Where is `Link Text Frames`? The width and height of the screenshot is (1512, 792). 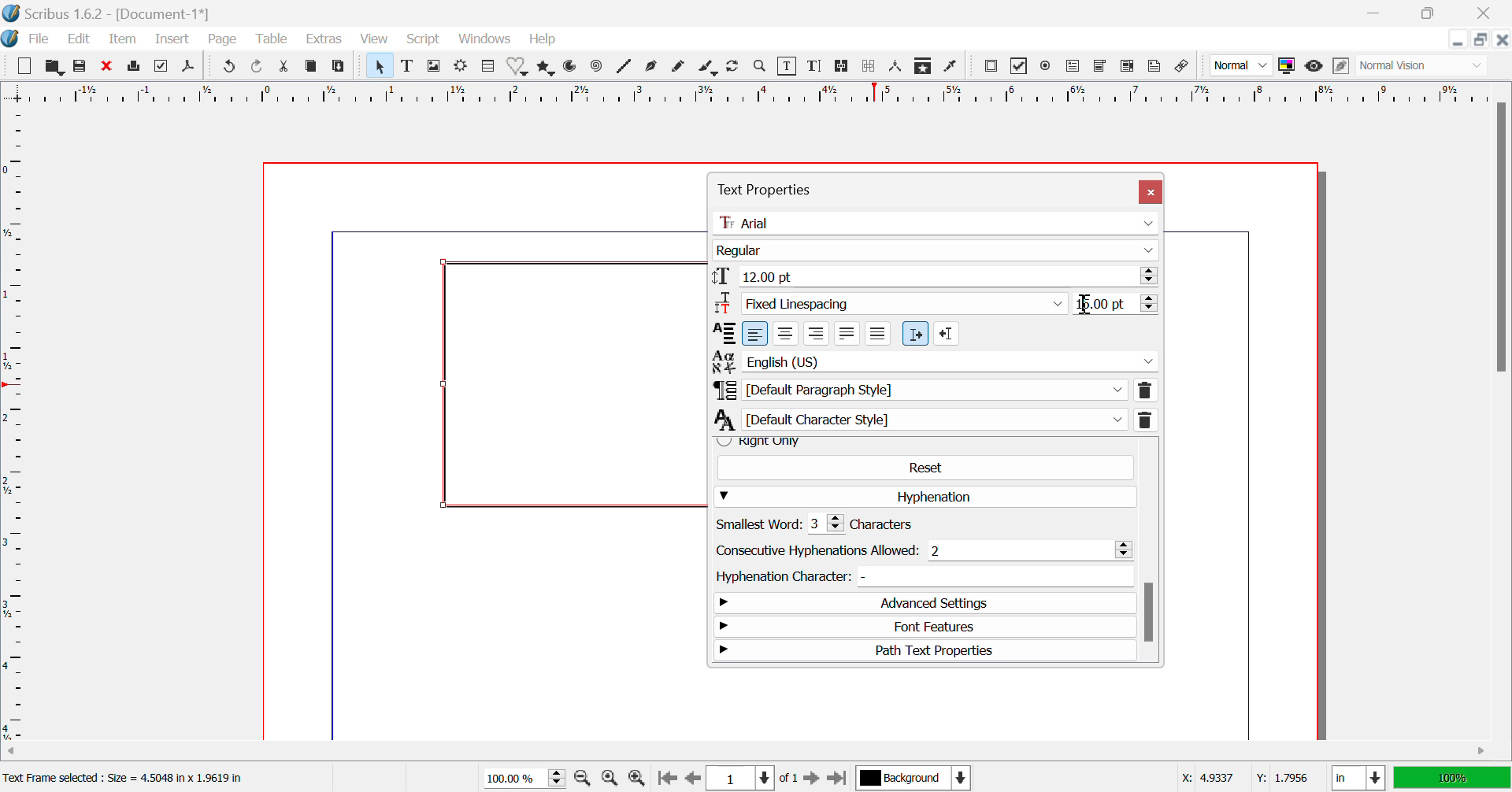 Link Text Frames is located at coordinates (839, 68).